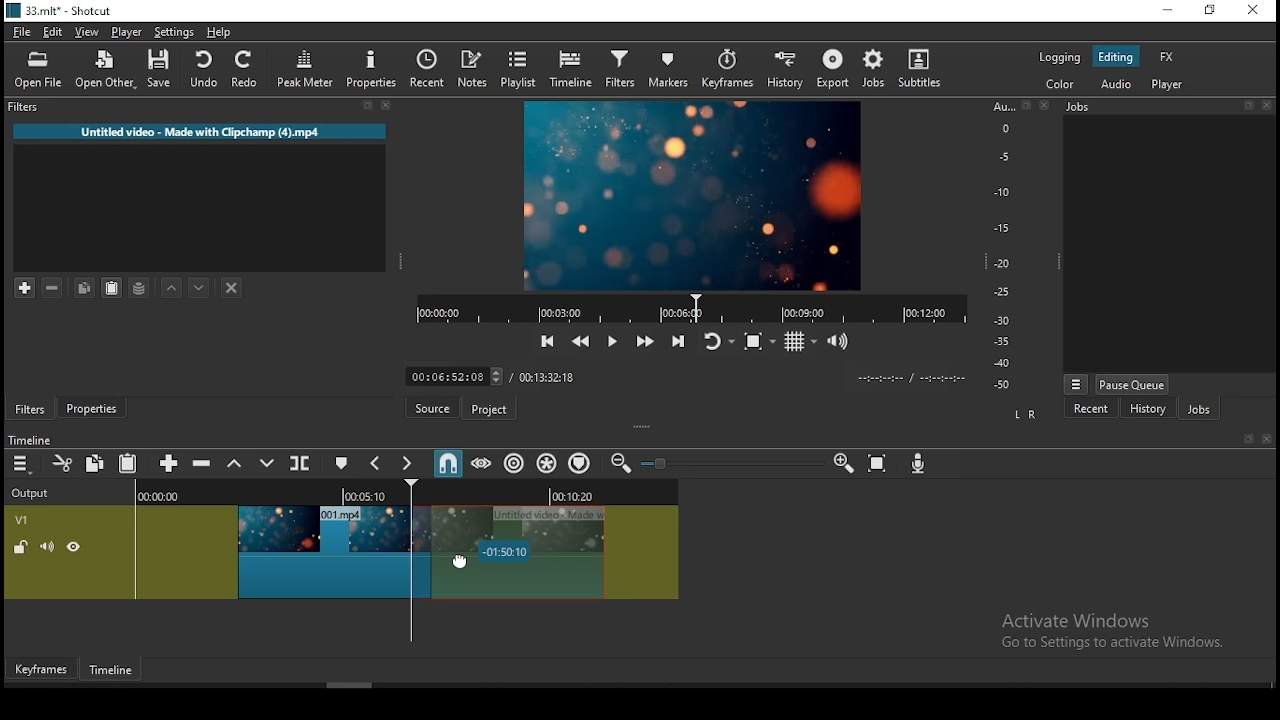 The height and width of the screenshot is (720, 1280). What do you see at coordinates (467, 565) in the screenshot?
I see `cursor` at bounding box center [467, 565].